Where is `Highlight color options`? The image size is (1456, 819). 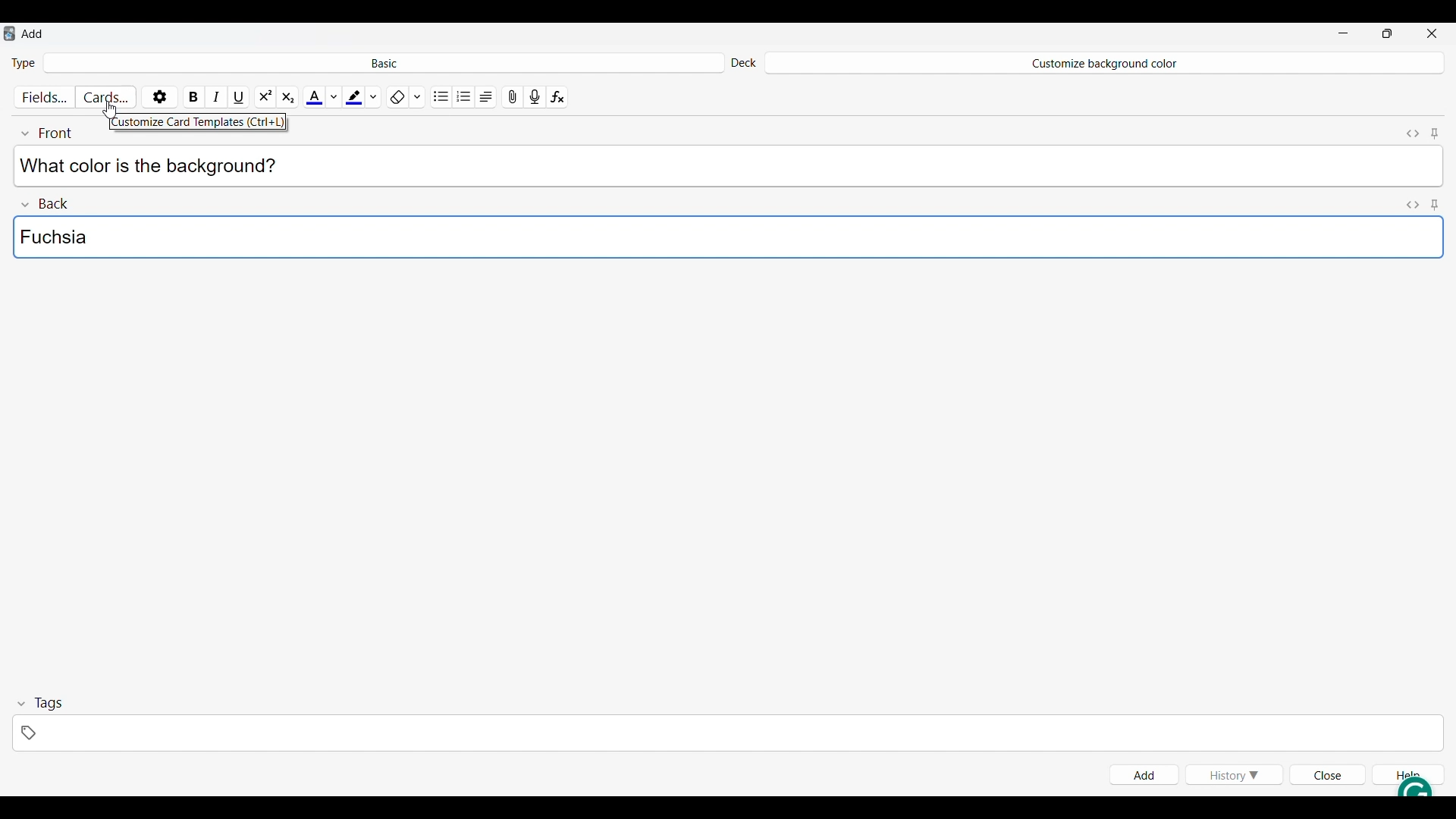
Highlight color options is located at coordinates (374, 94).